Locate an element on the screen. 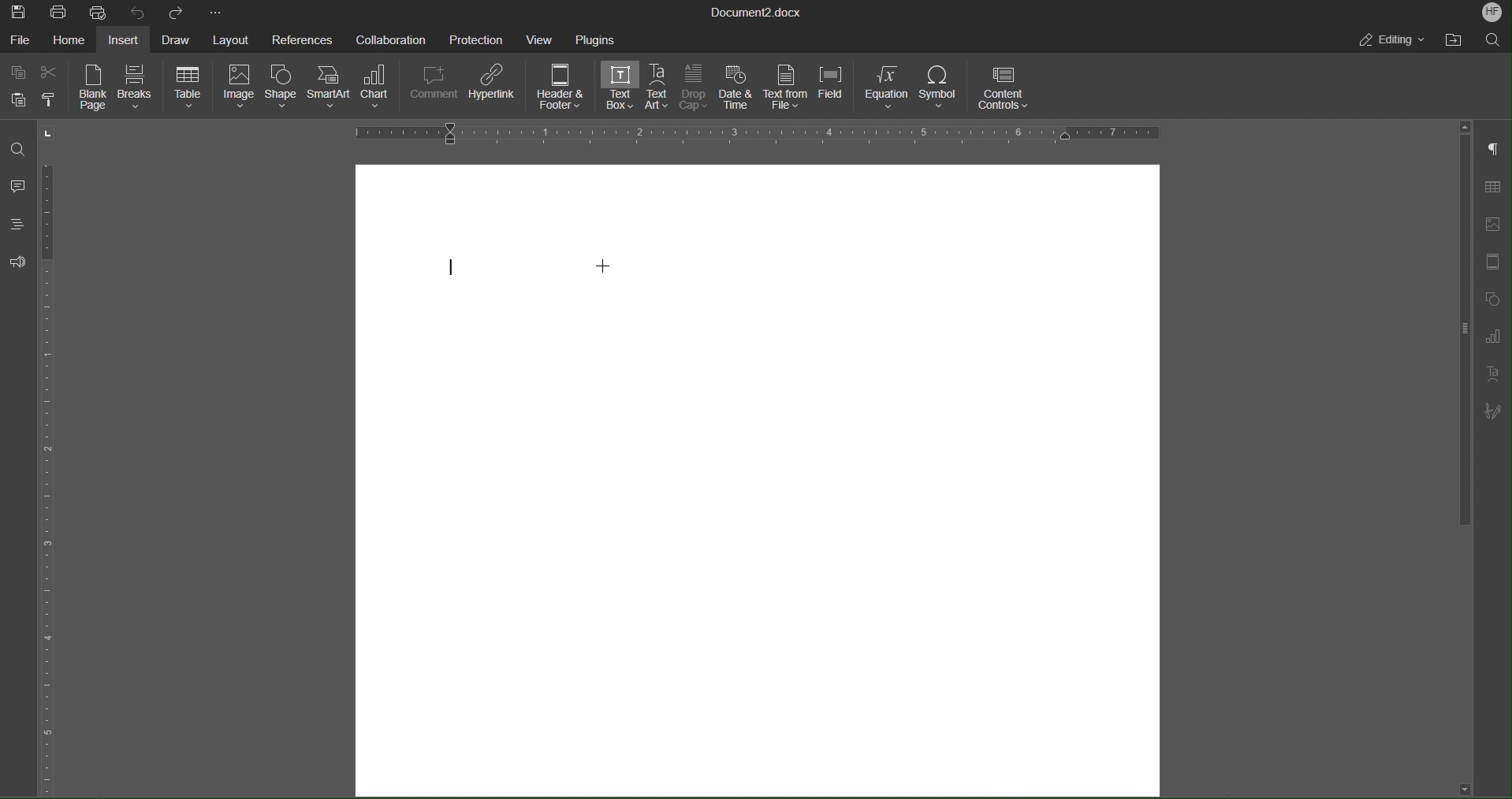 Image resolution: width=1512 pixels, height=799 pixels. Headings is located at coordinates (16, 224).